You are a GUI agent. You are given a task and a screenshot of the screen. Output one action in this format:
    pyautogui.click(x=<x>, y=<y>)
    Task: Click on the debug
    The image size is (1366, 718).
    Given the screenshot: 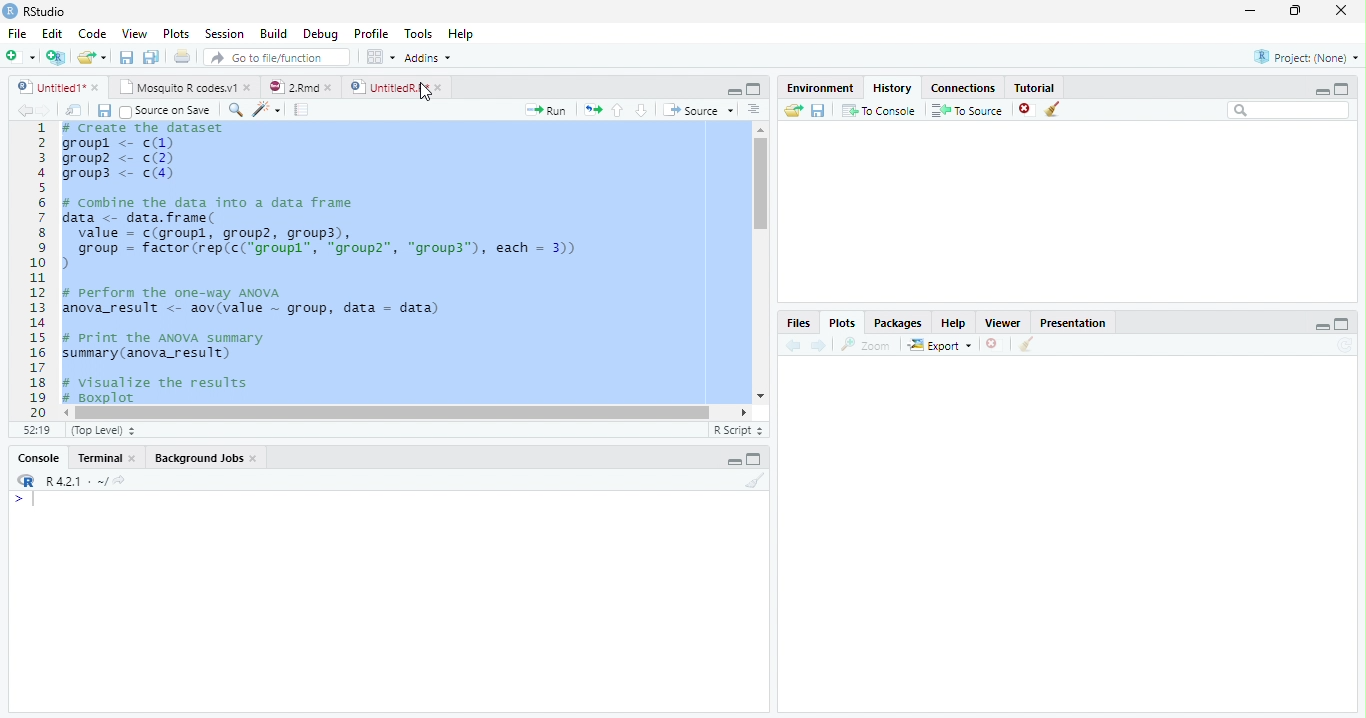 What is the action you would take?
    pyautogui.click(x=323, y=35)
    